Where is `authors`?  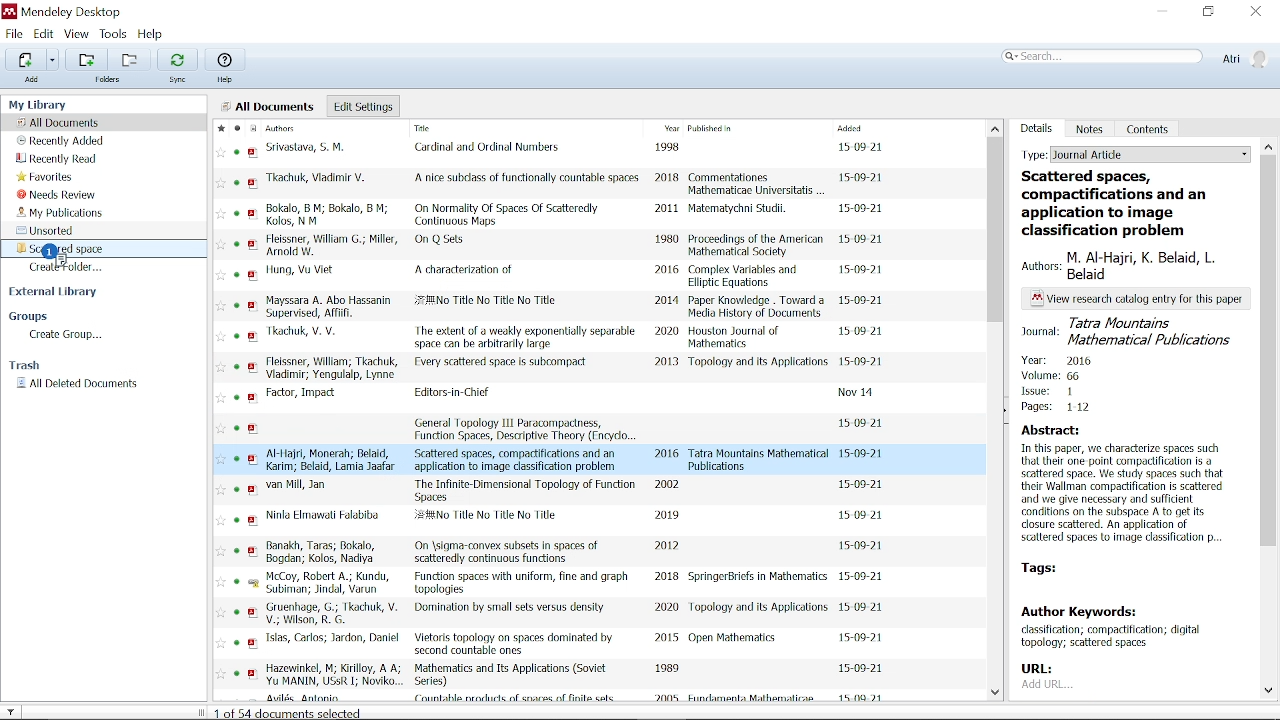
authors is located at coordinates (334, 614).